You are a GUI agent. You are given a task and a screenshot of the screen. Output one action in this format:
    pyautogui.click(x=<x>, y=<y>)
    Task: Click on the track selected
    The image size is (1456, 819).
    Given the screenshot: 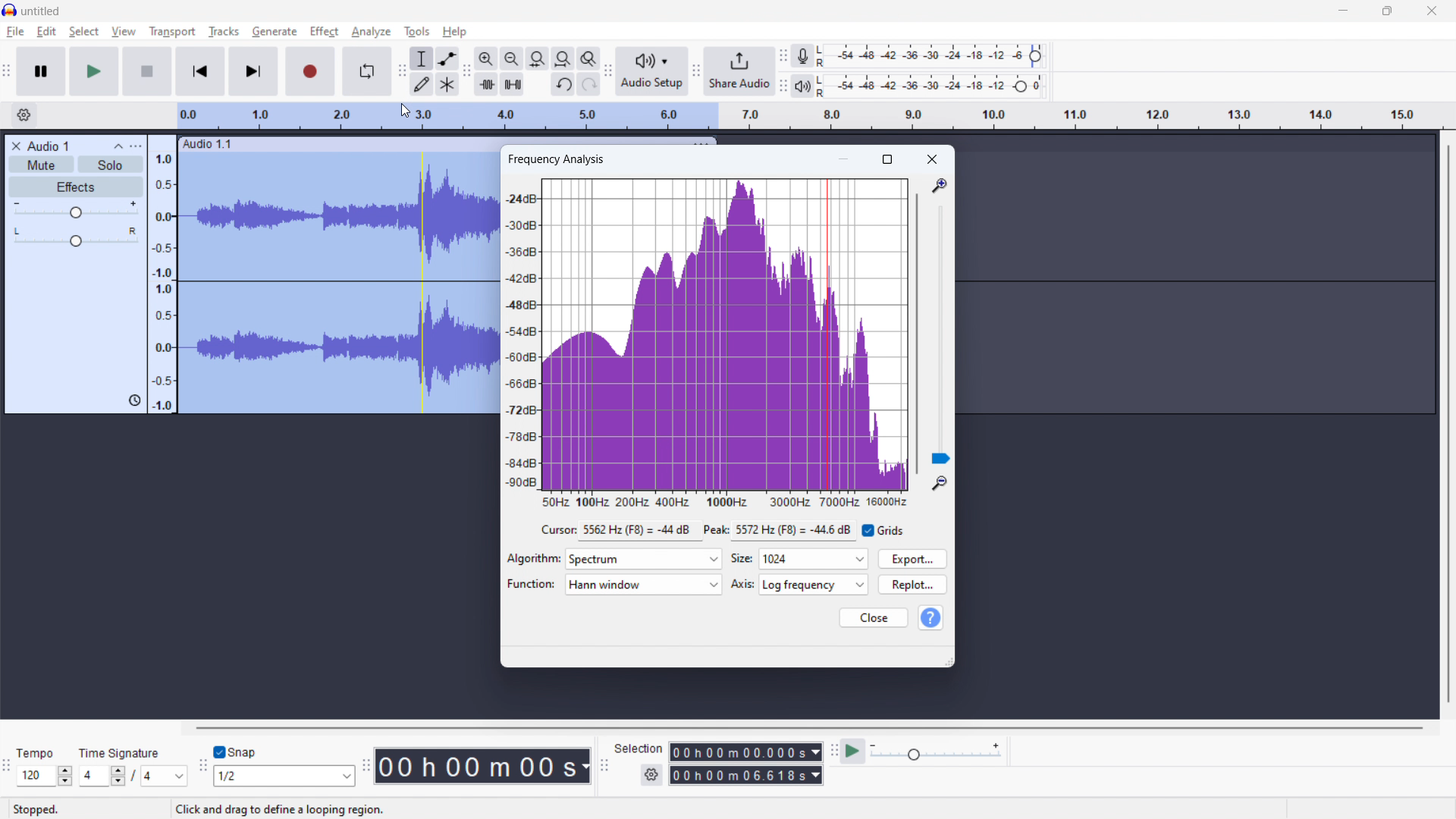 What is the action you would take?
    pyautogui.click(x=338, y=286)
    